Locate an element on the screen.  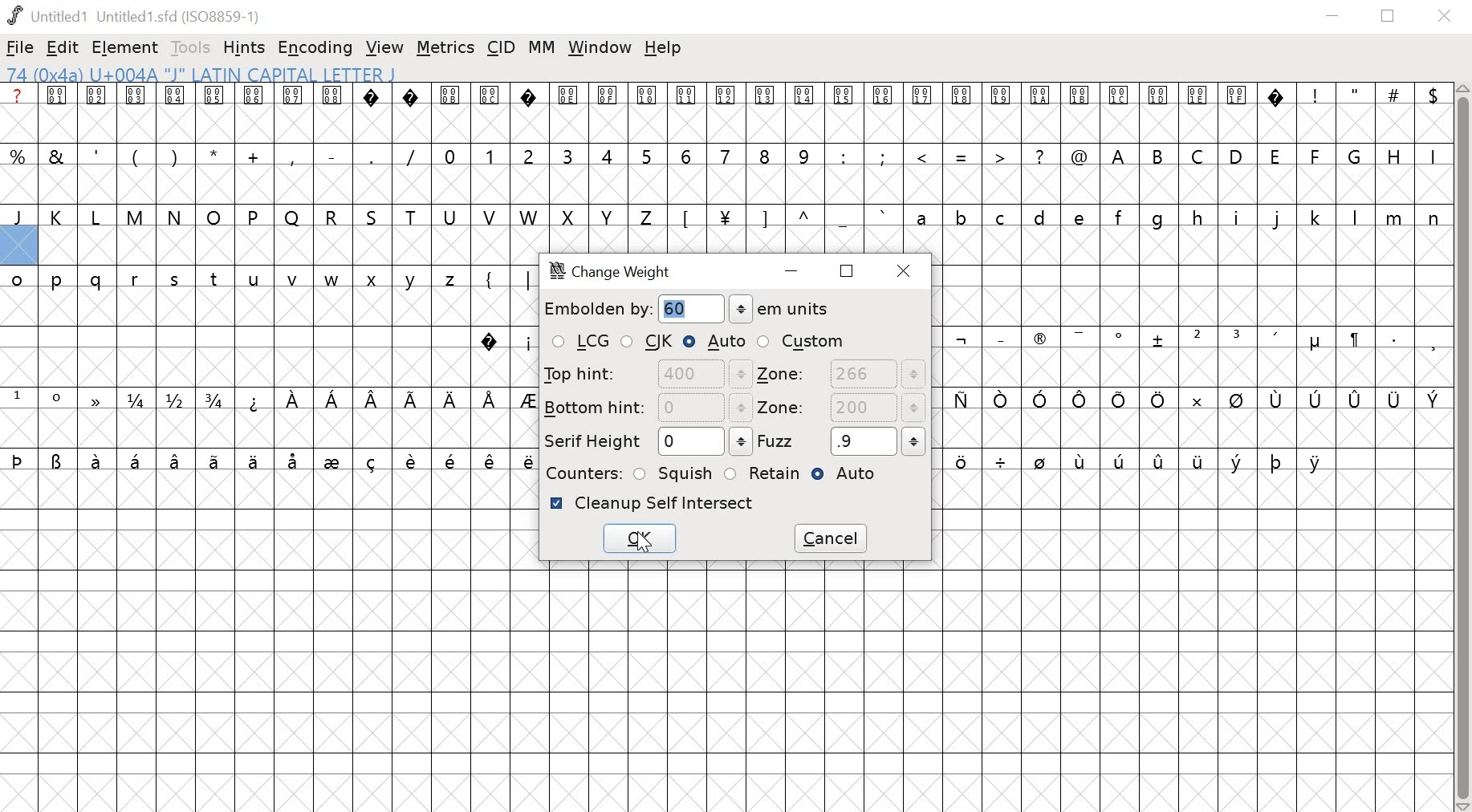
VIEW is located at coordinates (384, 49).